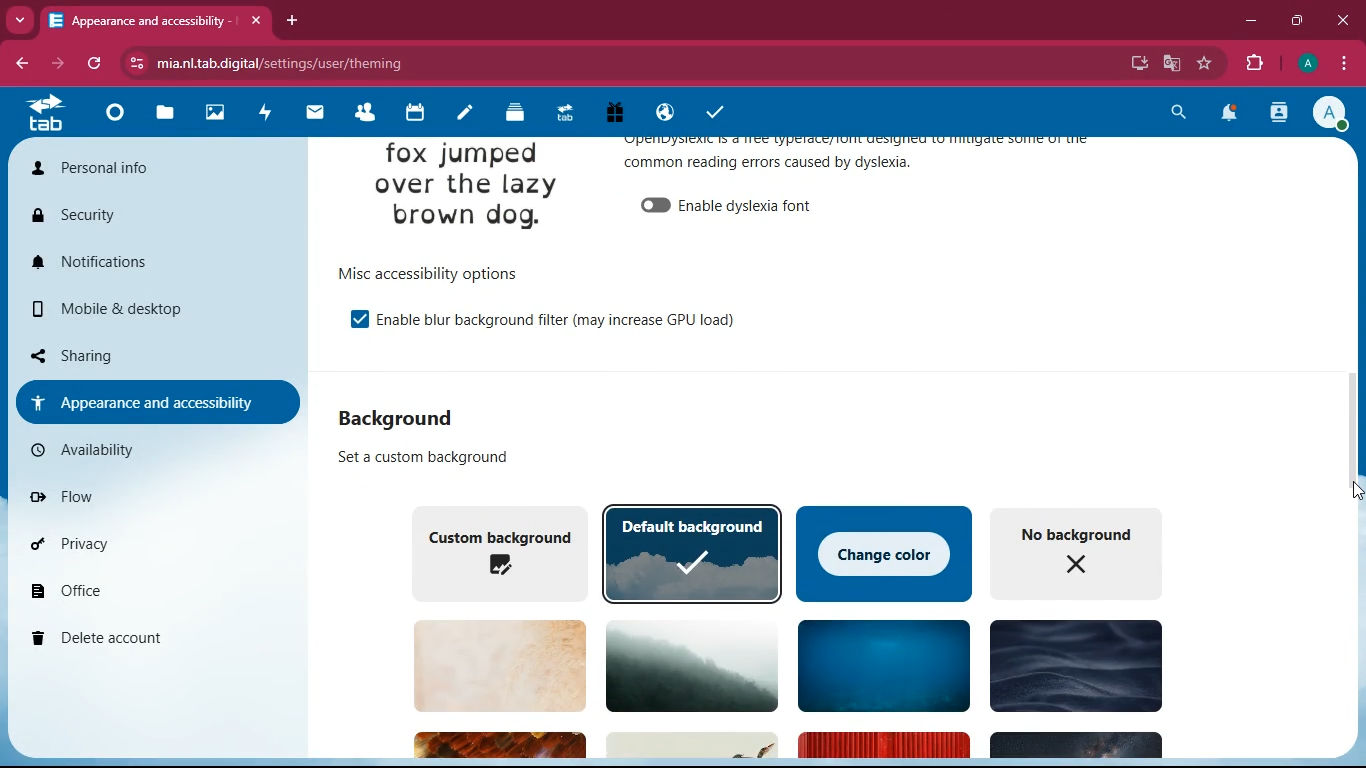  What do you see at coordinates (616, 114) in the screenshot?
I see `gift` at bounding box center [616, 114].